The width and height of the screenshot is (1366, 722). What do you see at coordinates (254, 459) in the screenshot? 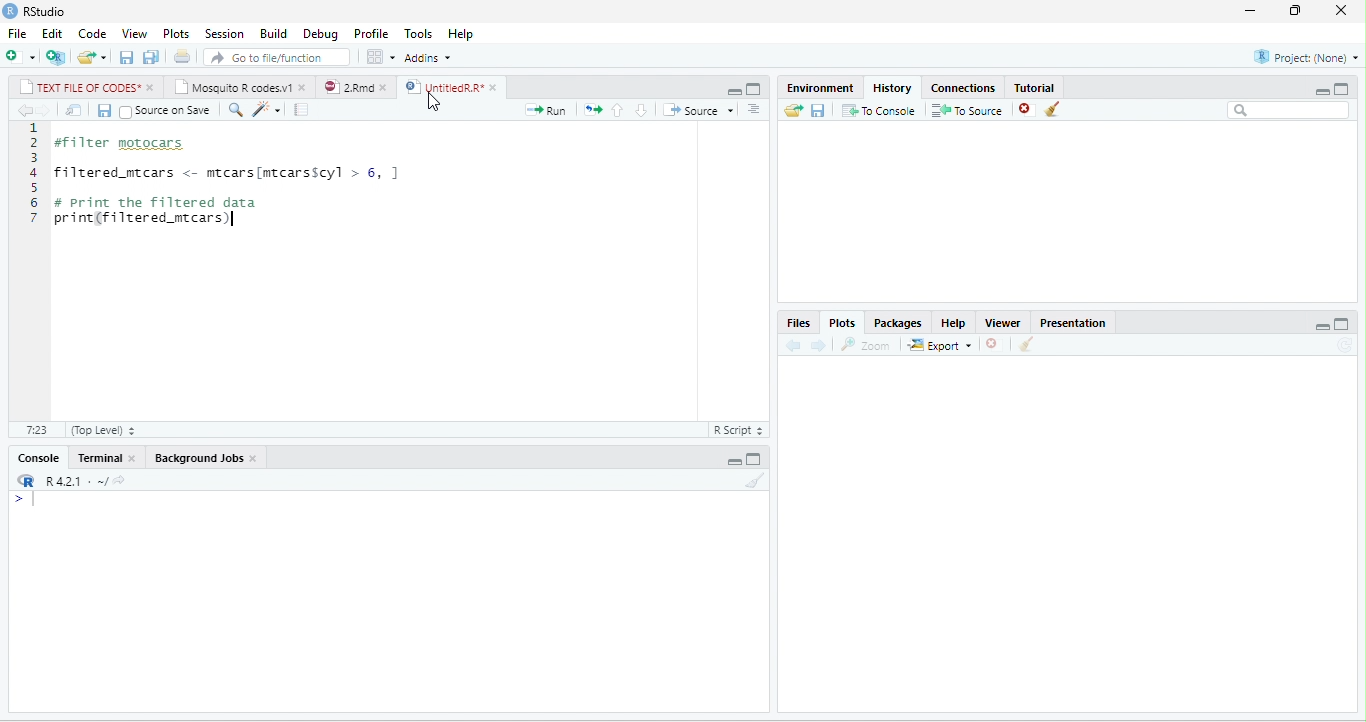
I see `close` at bounding box center [254, 459].